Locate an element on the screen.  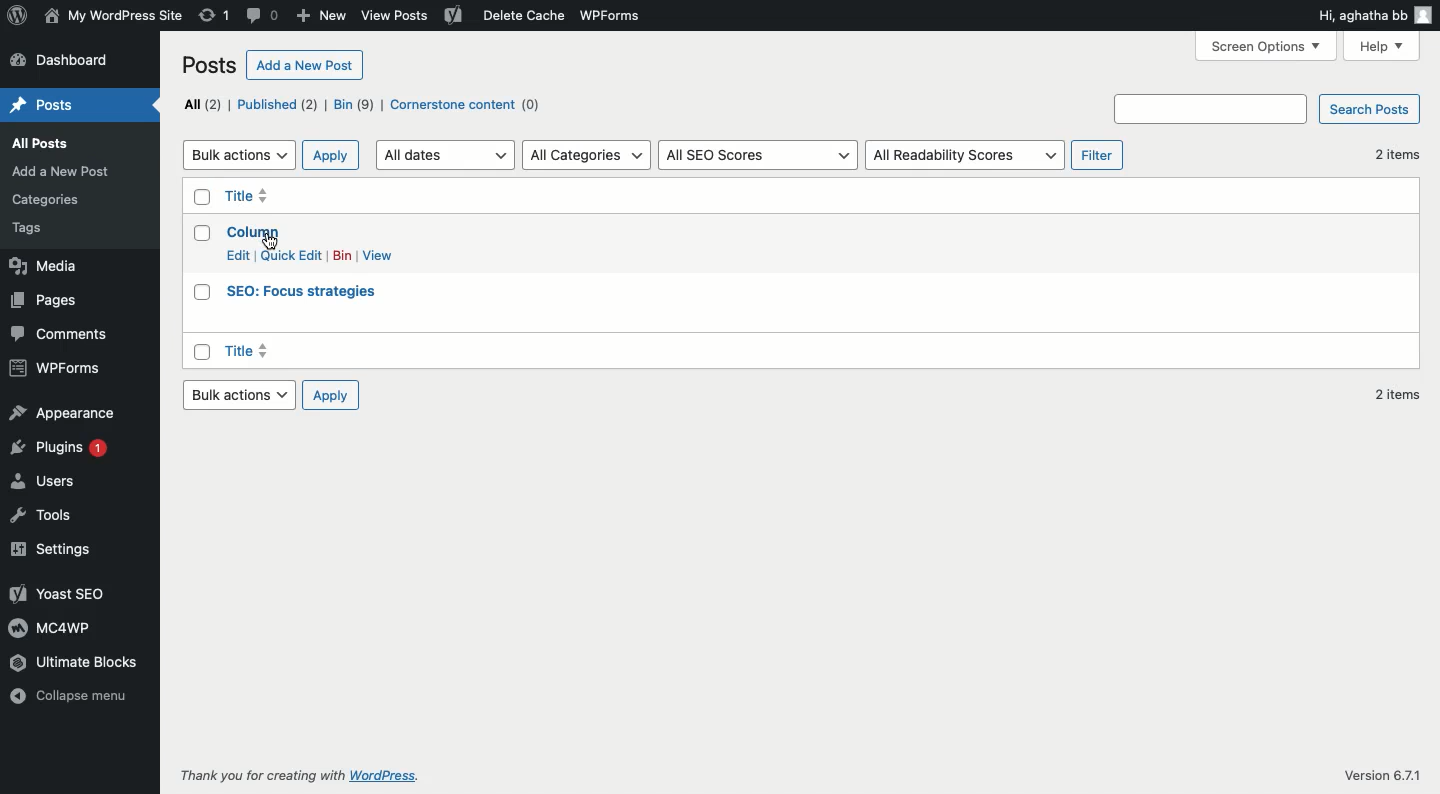
Title is located at coordinates (264, 195).